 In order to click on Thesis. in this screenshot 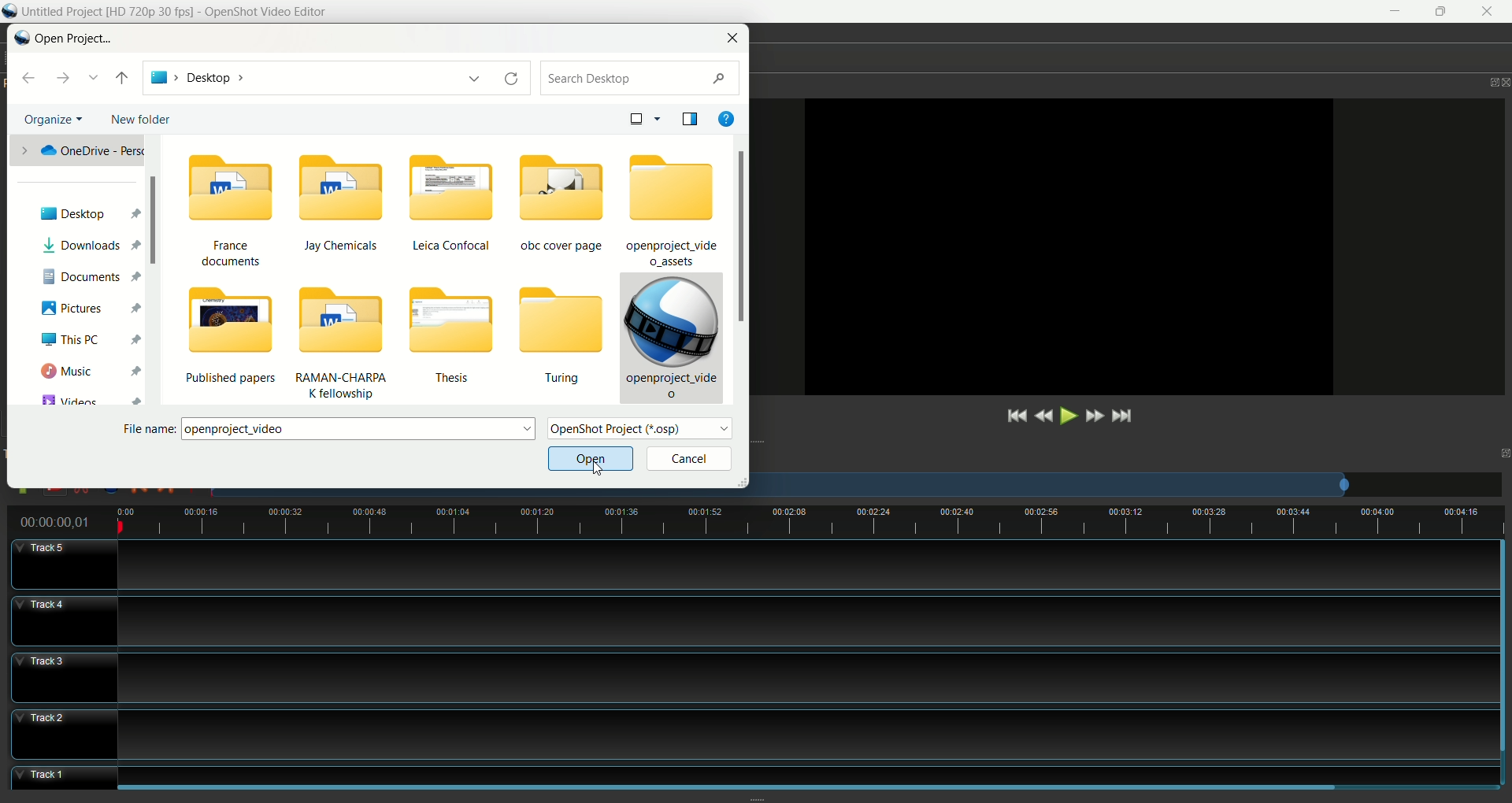, I will do `click(458, 339)`.